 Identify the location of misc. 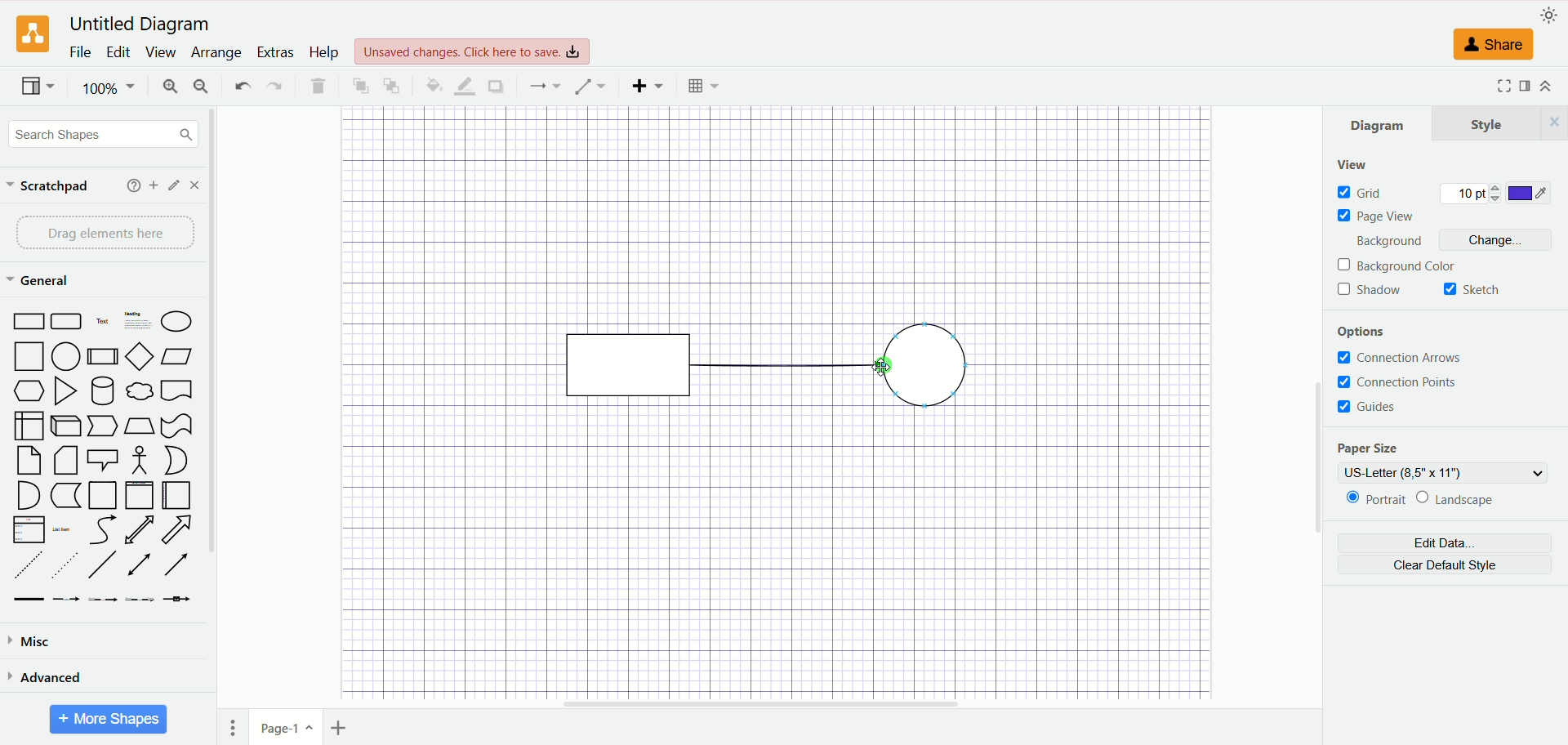
(38, 640).